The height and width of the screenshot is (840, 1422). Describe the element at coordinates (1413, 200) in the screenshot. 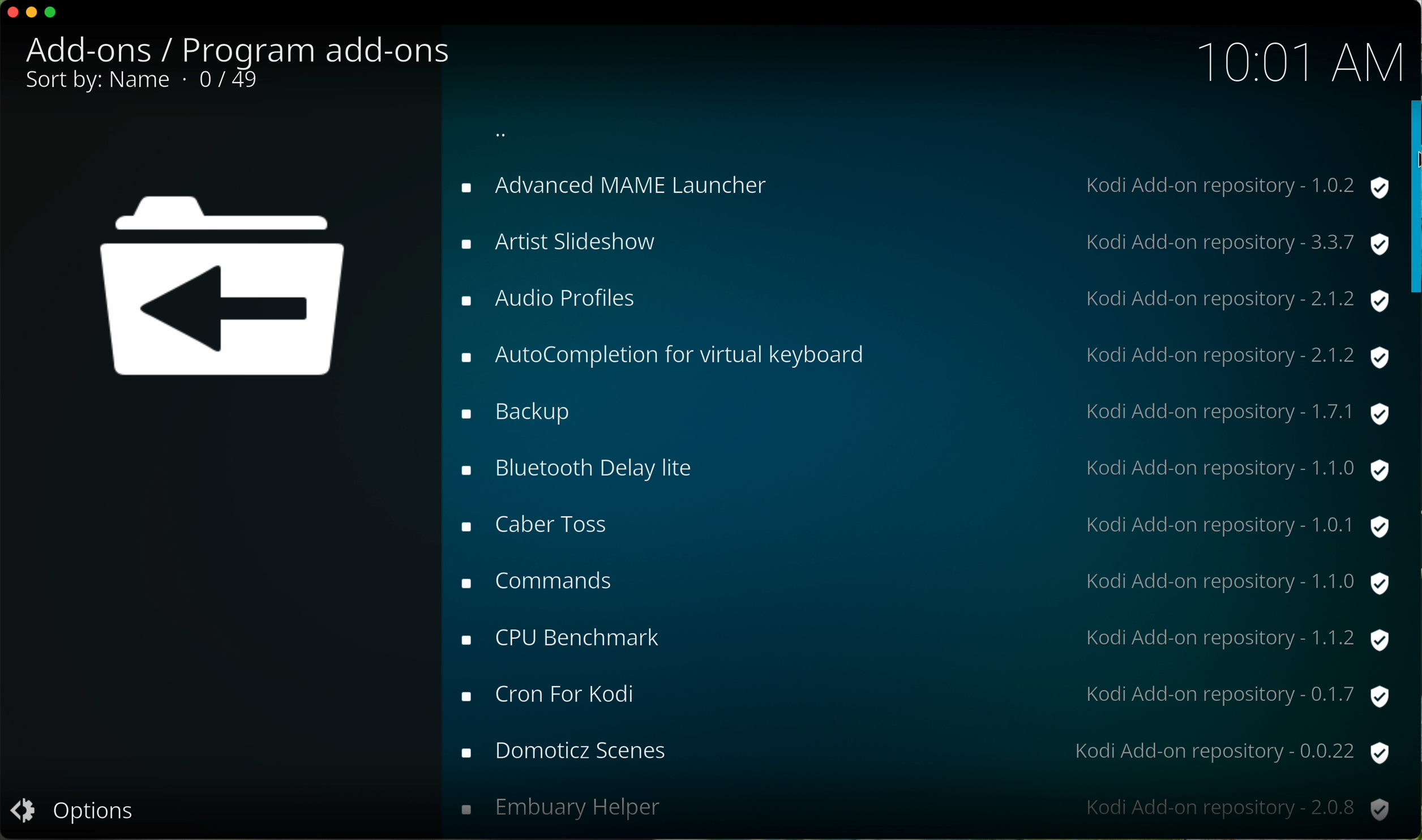

I see `click on scroll bar` at that location.